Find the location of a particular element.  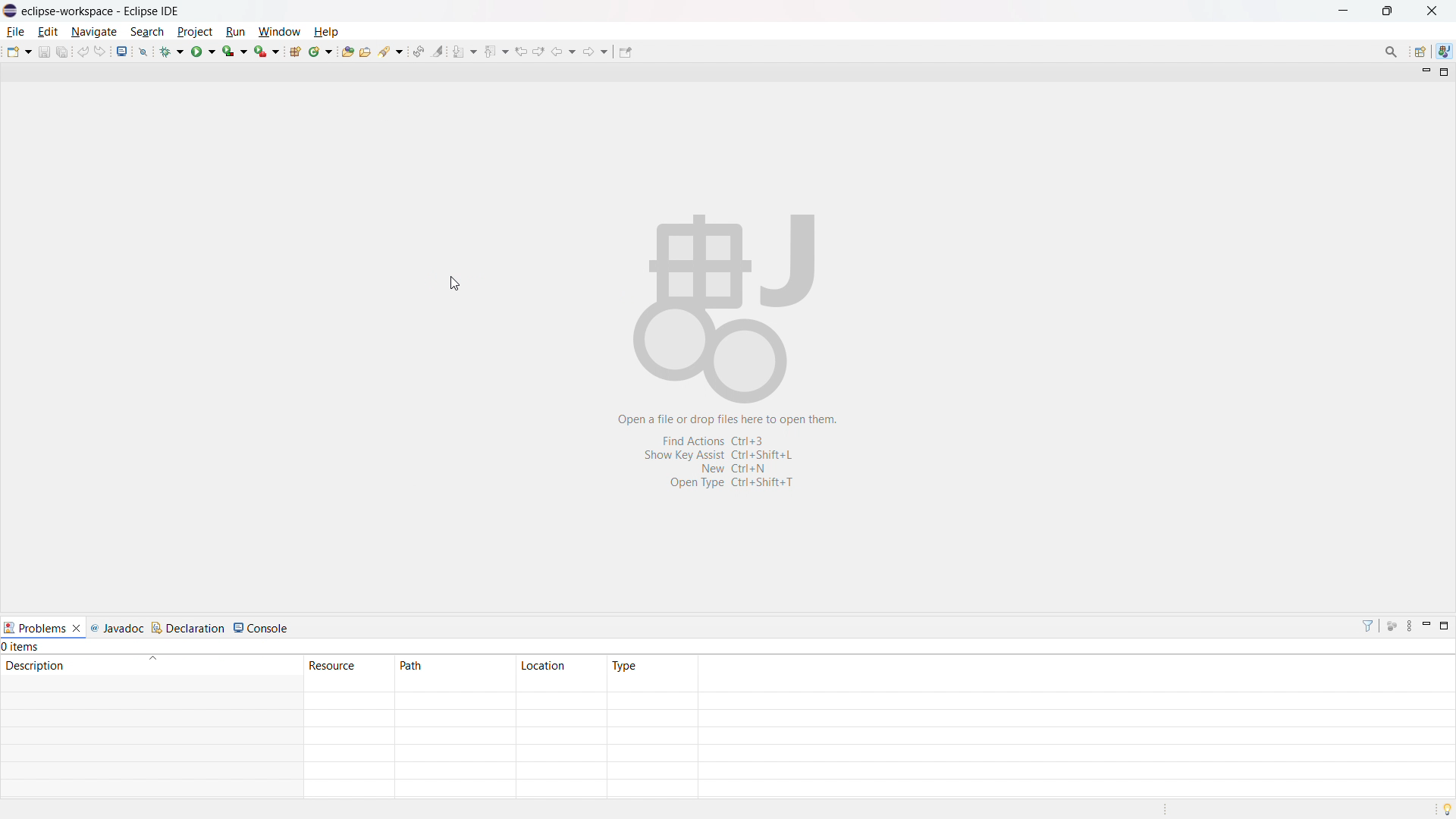

new is located at coordinates (17, 52).